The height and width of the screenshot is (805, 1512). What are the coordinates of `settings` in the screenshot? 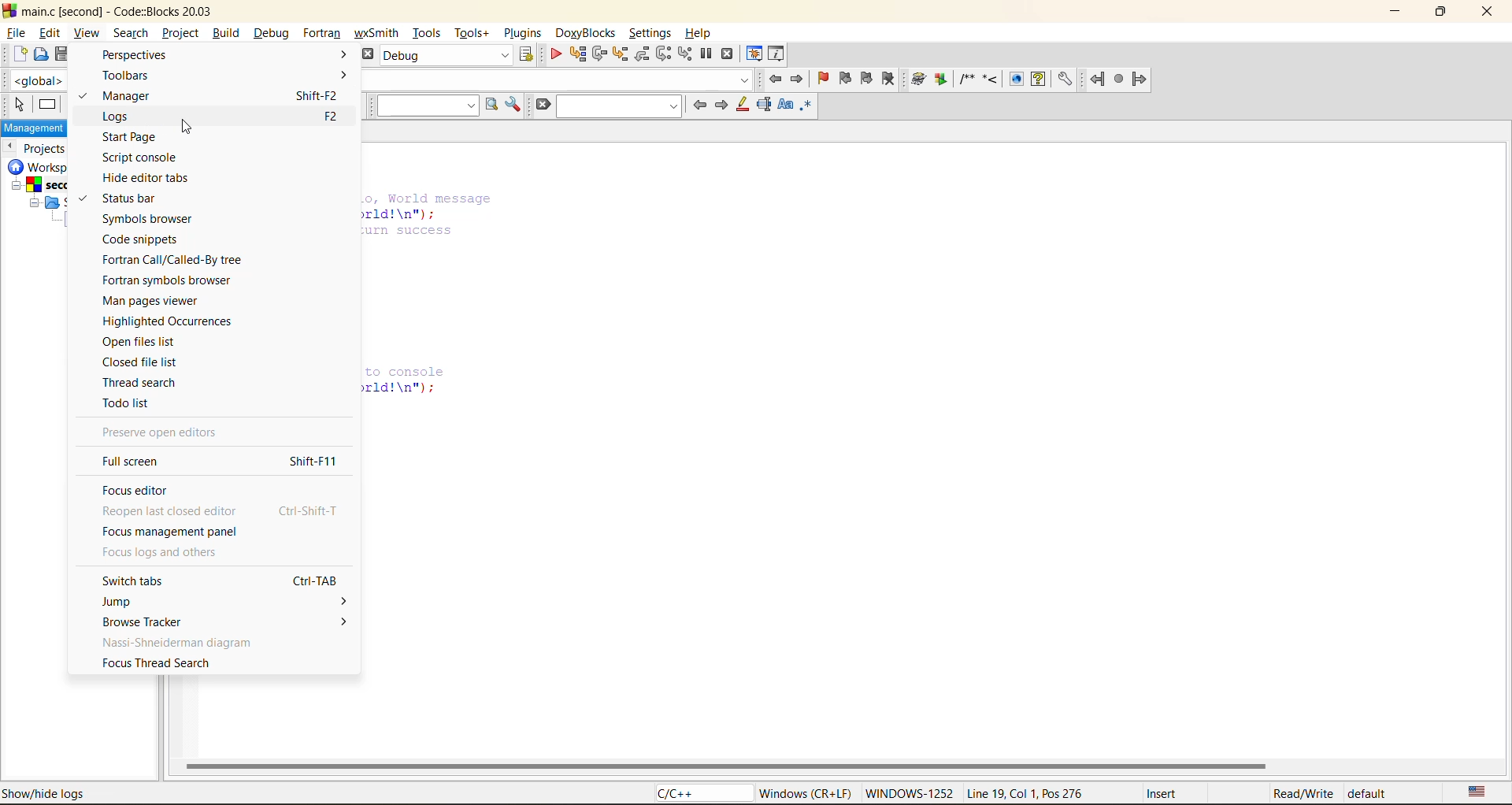 It's located at (650, 30).